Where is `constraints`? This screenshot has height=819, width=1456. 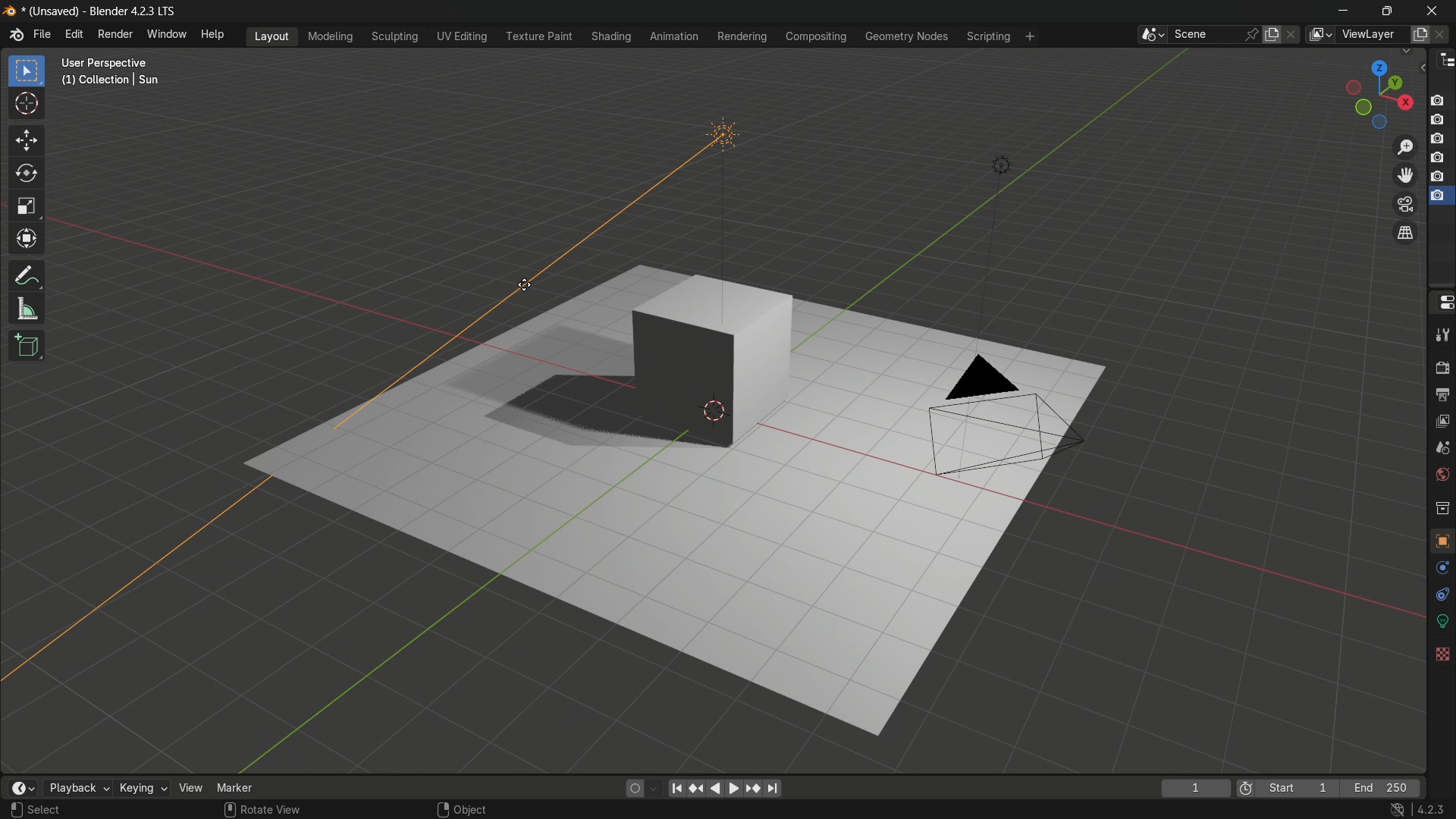
constraints is located at coordinates (1441, 594).